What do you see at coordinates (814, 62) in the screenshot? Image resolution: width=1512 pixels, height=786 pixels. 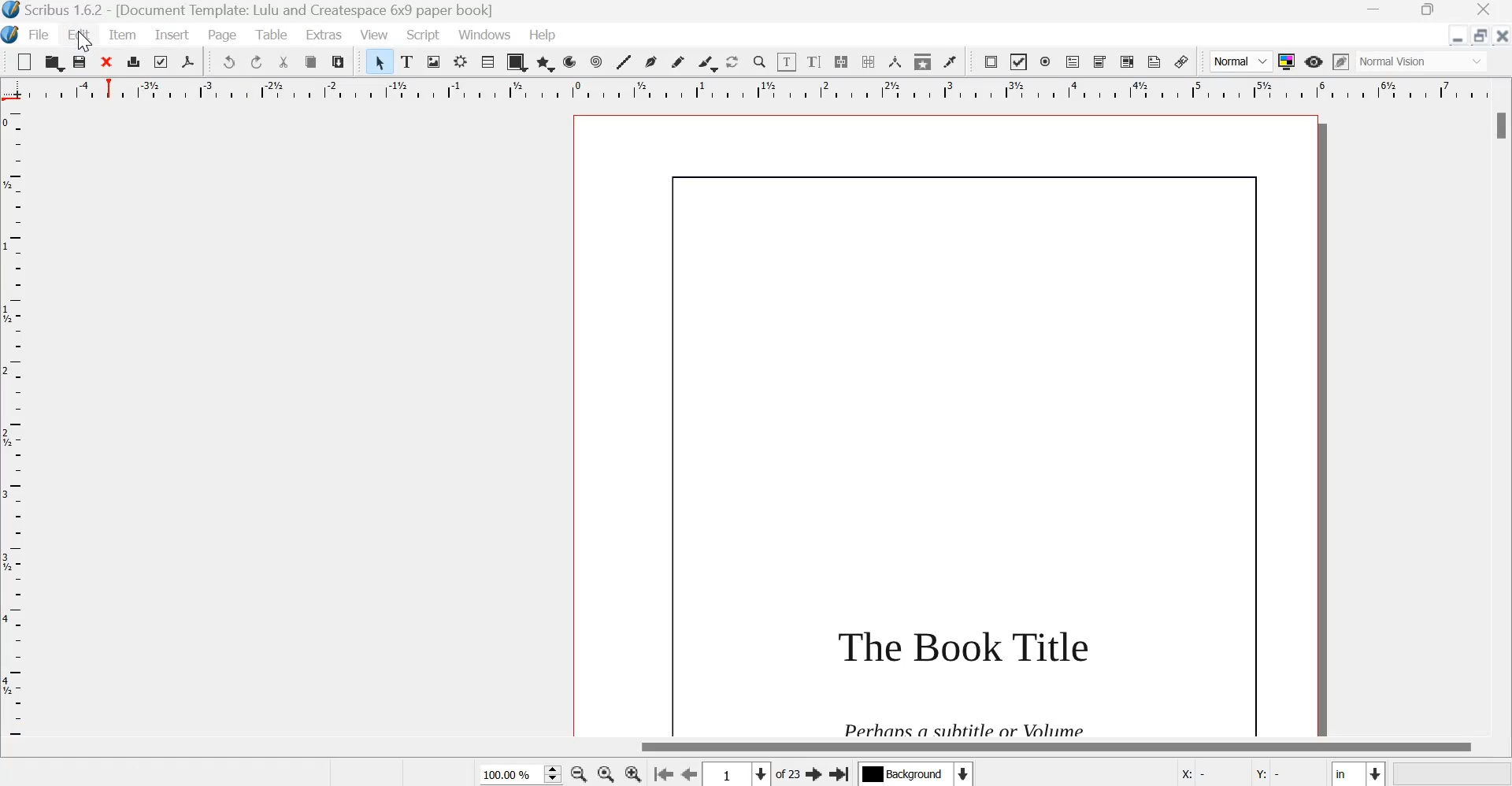 I see `edit text with story editor` at bounding box center [814, 62].